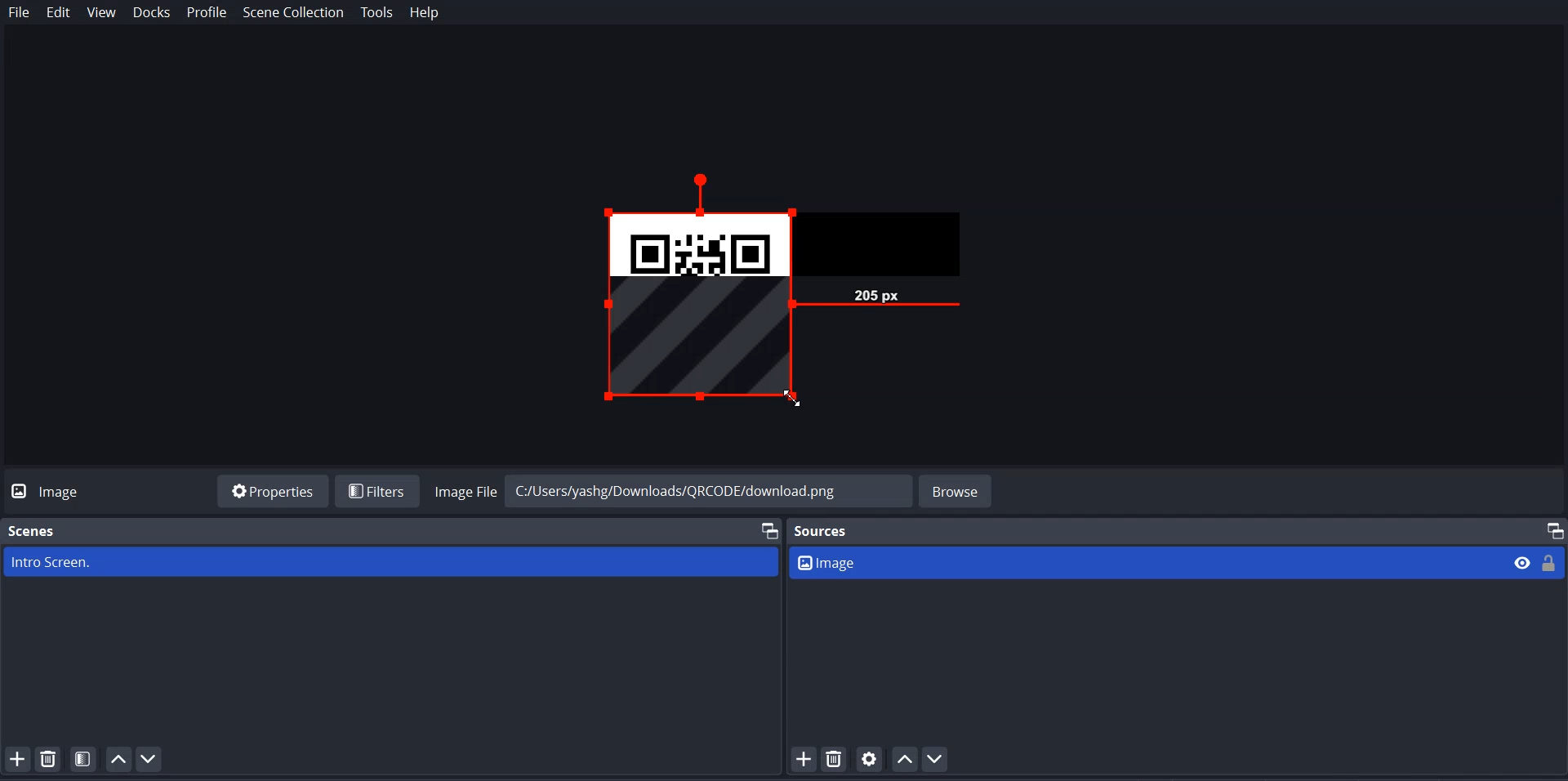 The image size is (1568, 781). I want to click on File, so click(19, 13).